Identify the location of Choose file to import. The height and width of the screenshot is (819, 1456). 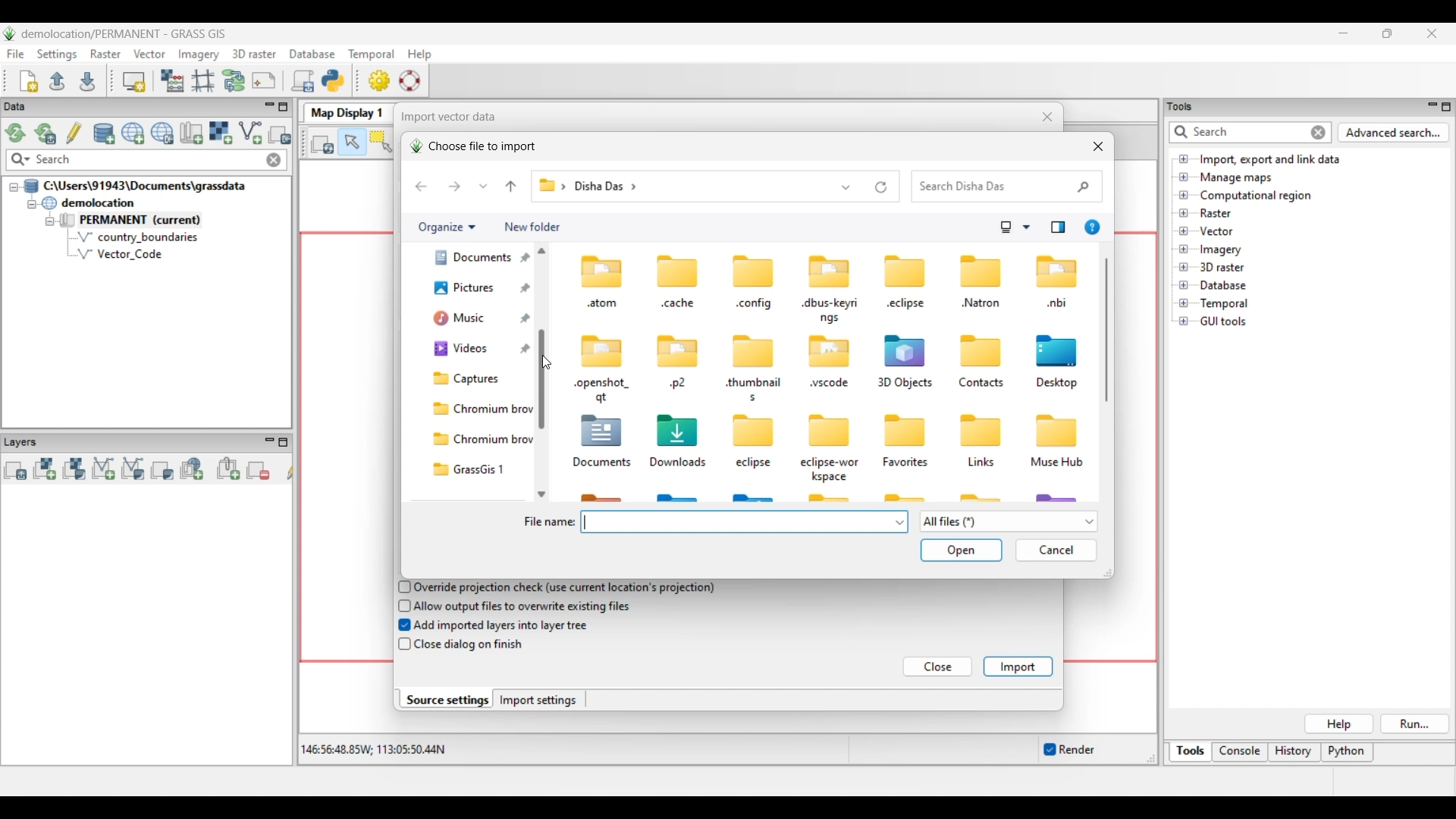
(472, 146).